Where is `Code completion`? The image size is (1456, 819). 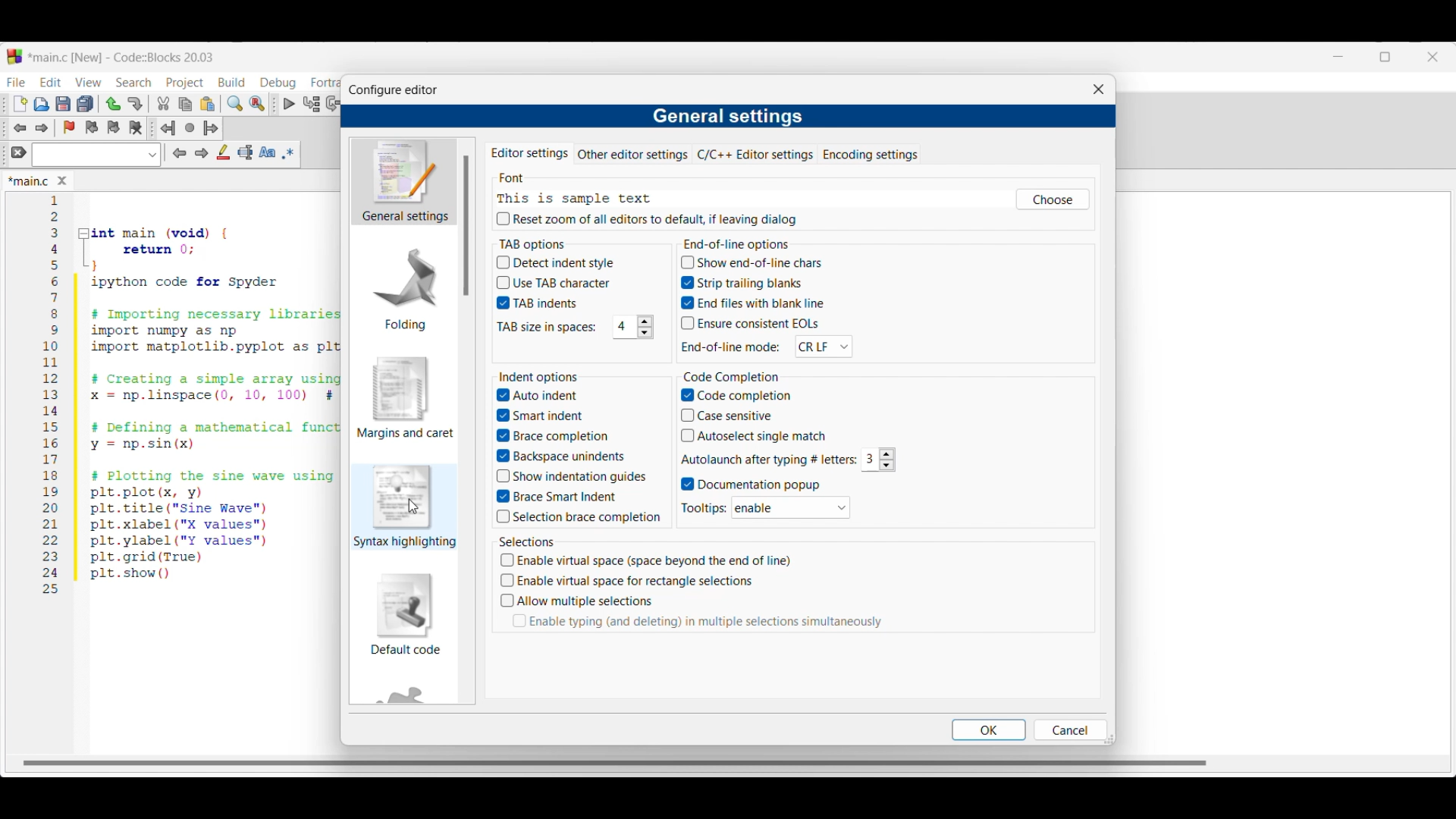 Code completion is located at coordinates (734, 396).